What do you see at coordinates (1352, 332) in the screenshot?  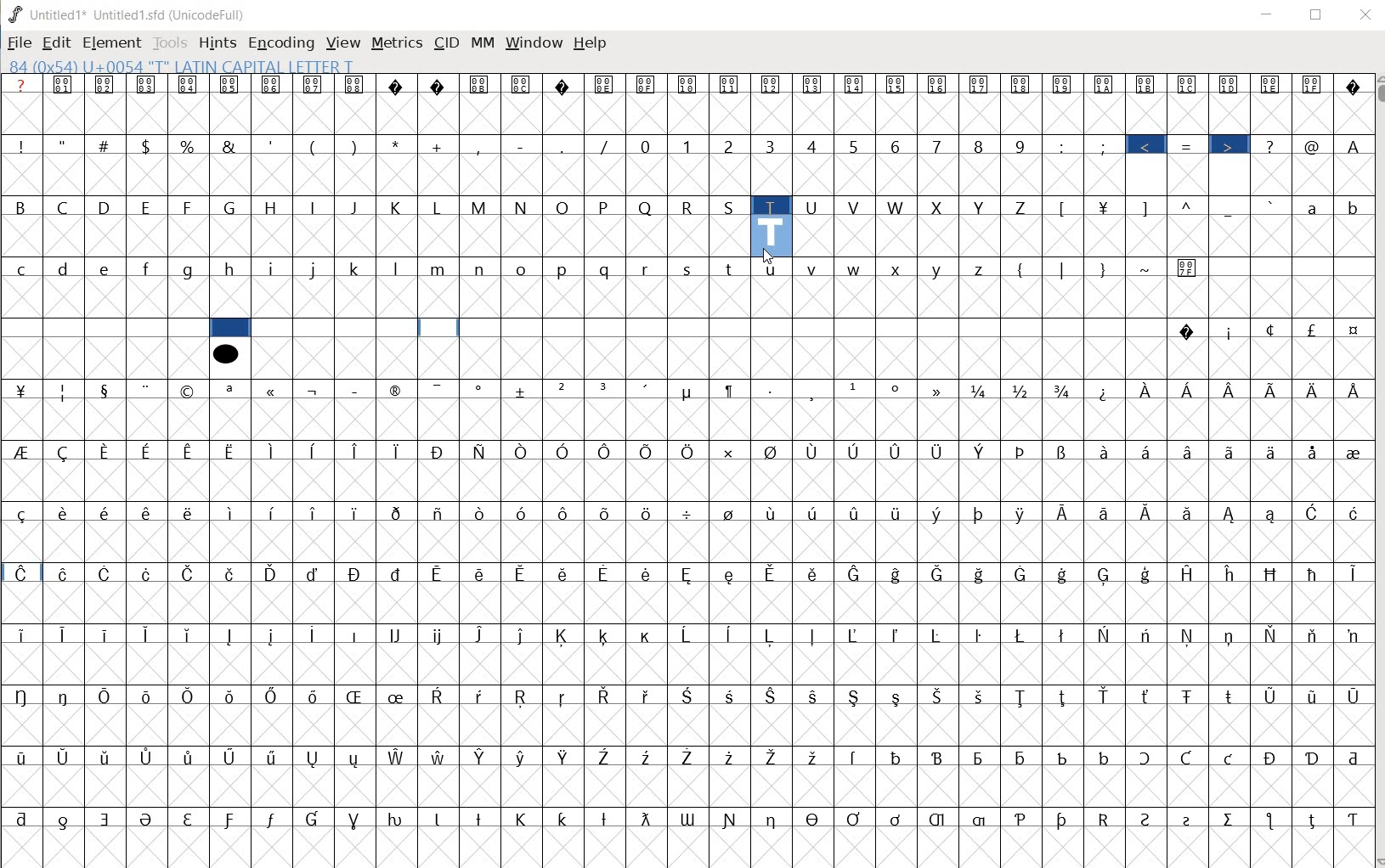 I see `Symbol` at bounding box center [1352, 332].